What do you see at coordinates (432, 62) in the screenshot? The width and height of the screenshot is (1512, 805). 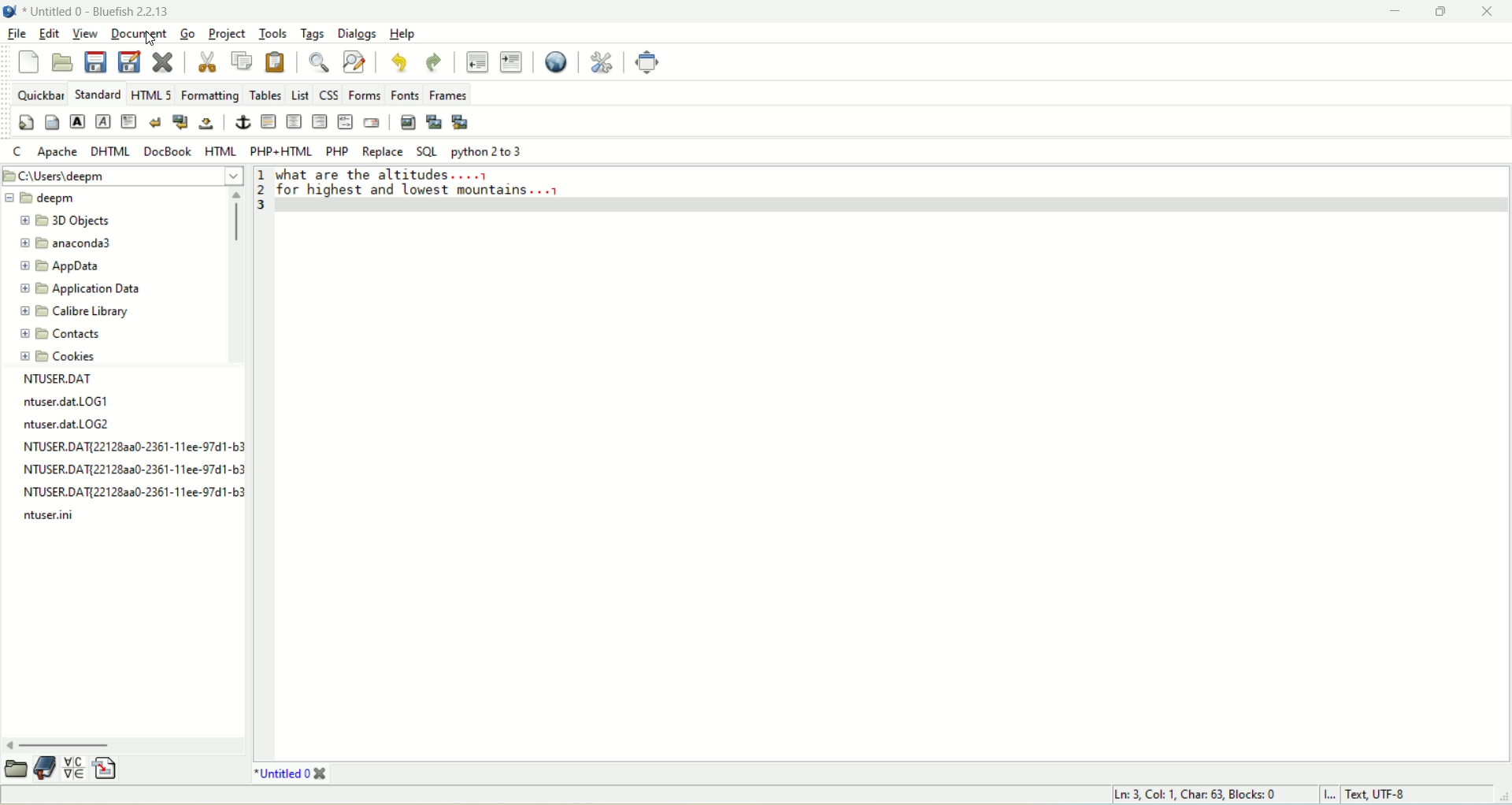 I see `redo` at bounding box center [432, 62].